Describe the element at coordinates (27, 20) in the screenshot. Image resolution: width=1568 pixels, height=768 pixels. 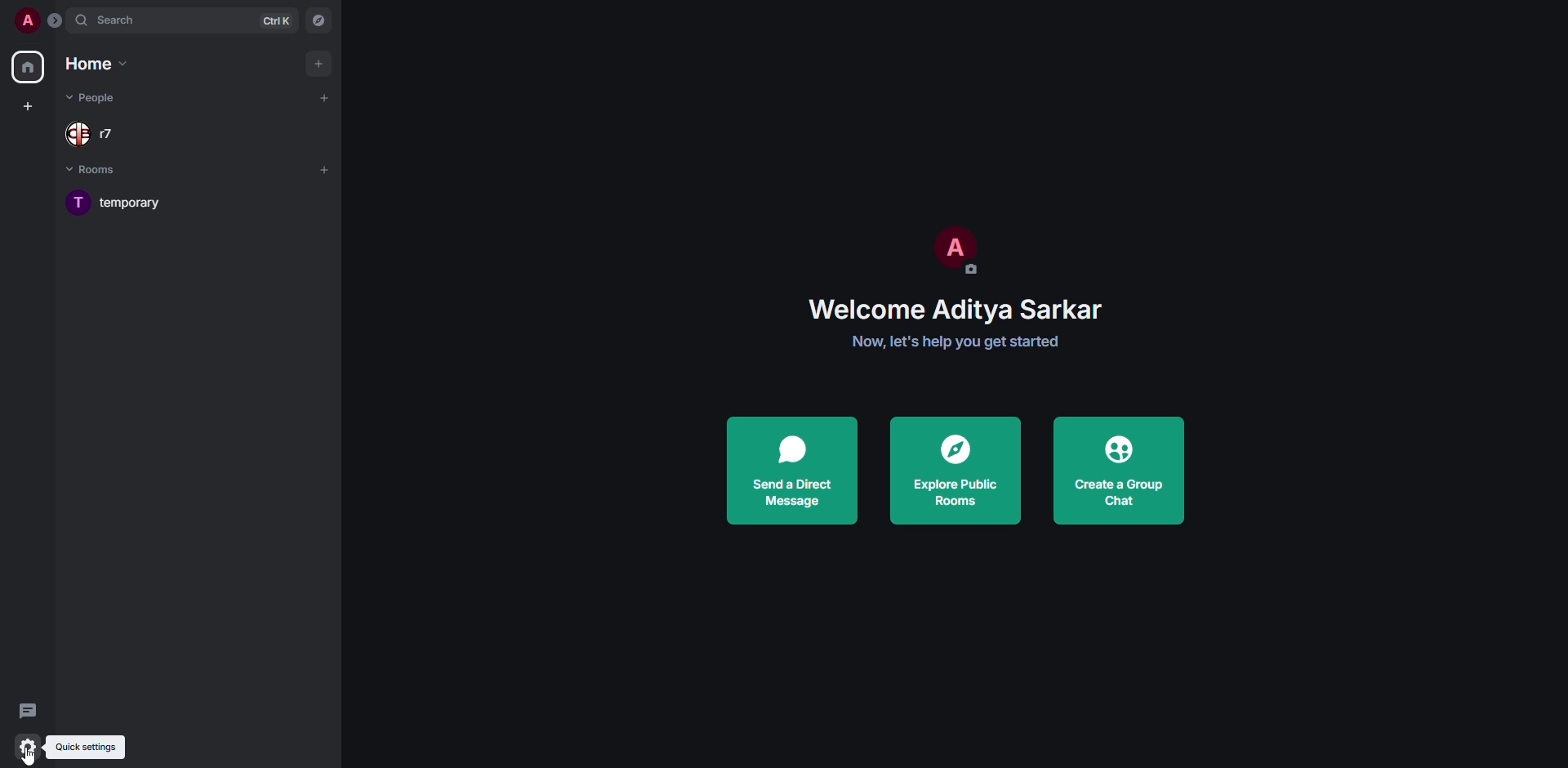
I see `profile` at that location.